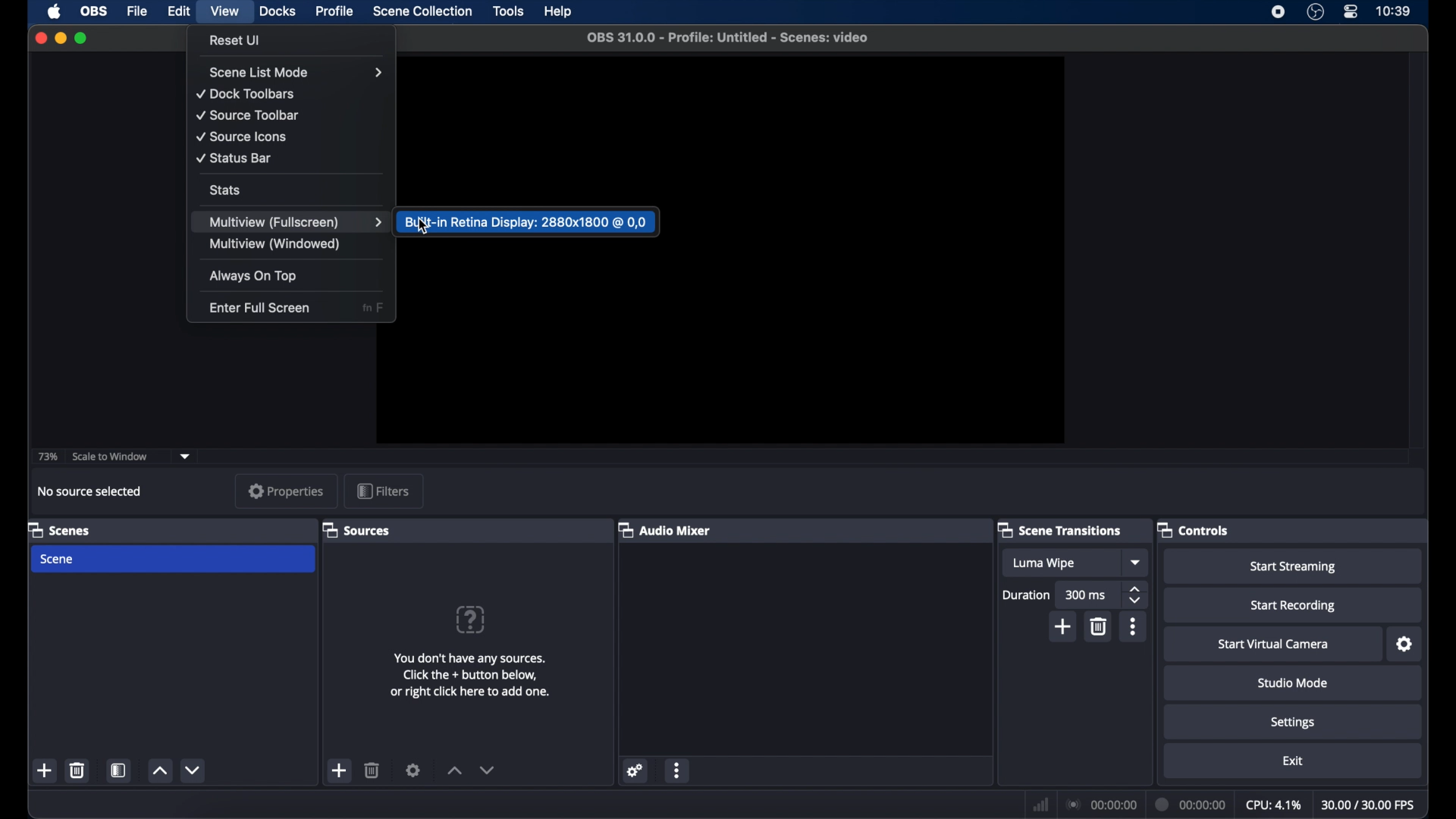  Describe the element at coordinates (468, 676) in the screenshot. I see `You don't have any sources.
Click the + button below,
or right click here to add one.` at that location.